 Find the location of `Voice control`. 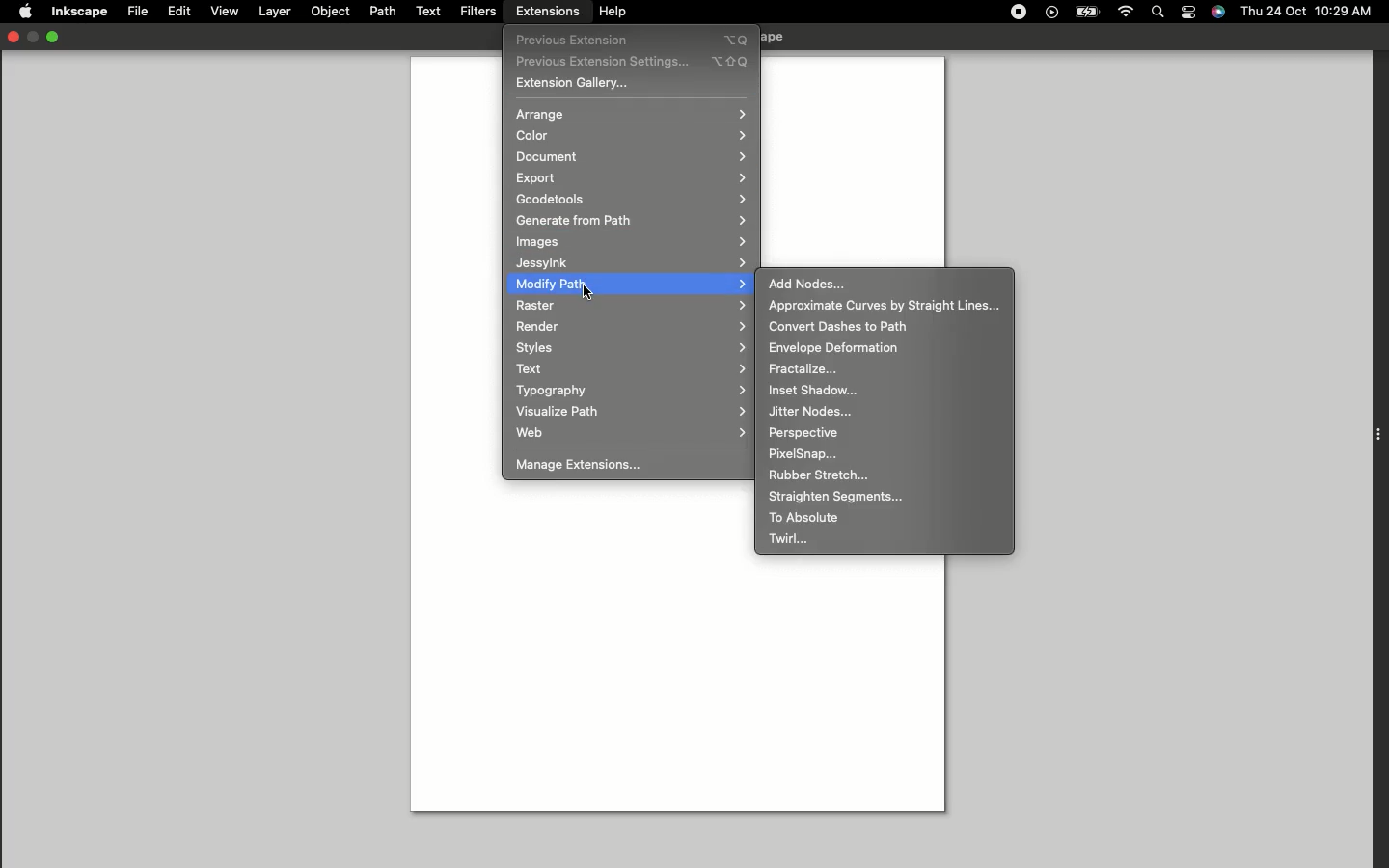

Voice control is located at coordinates (1218, 12).